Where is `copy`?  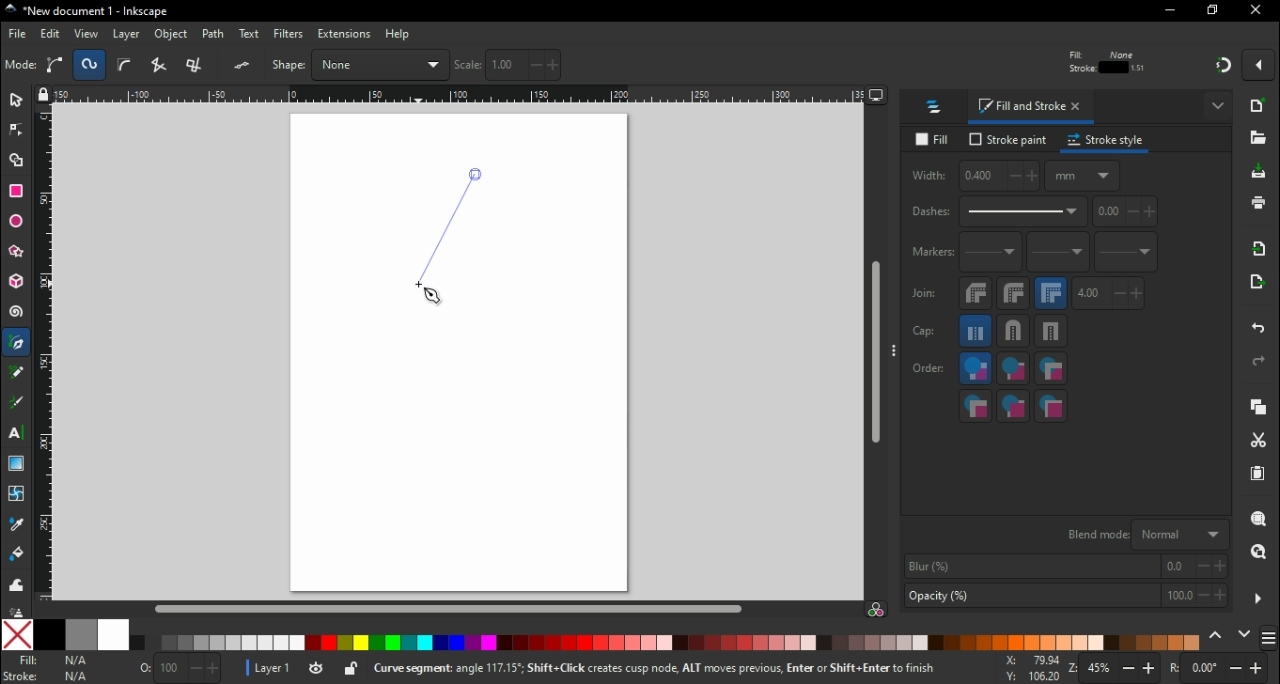
copy is located at coordinates (1263, 409).